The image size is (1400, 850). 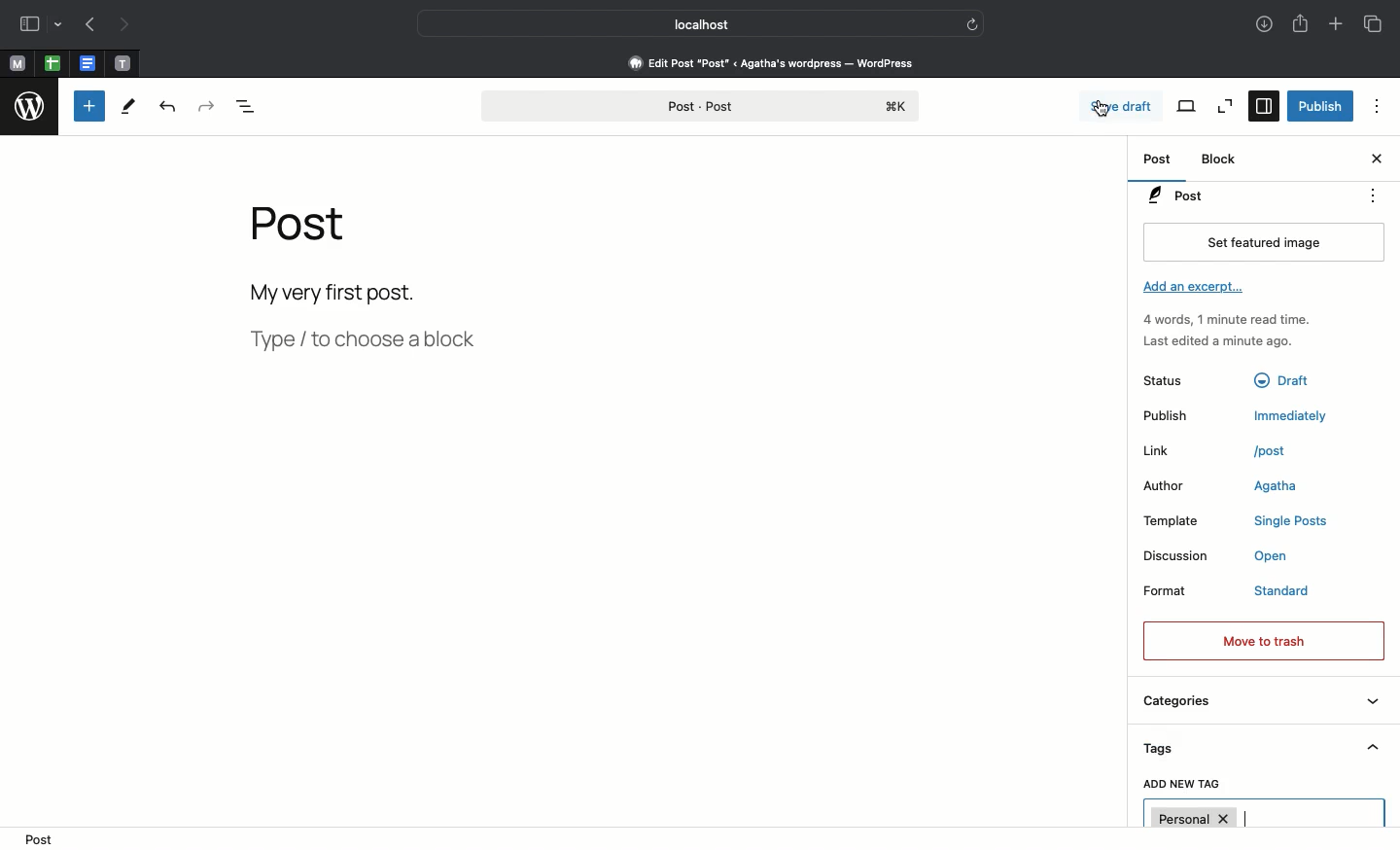 What do you see at coordinates (131, 107) in the screenshot?
I see `Tools` at bounding box center [131, 107].